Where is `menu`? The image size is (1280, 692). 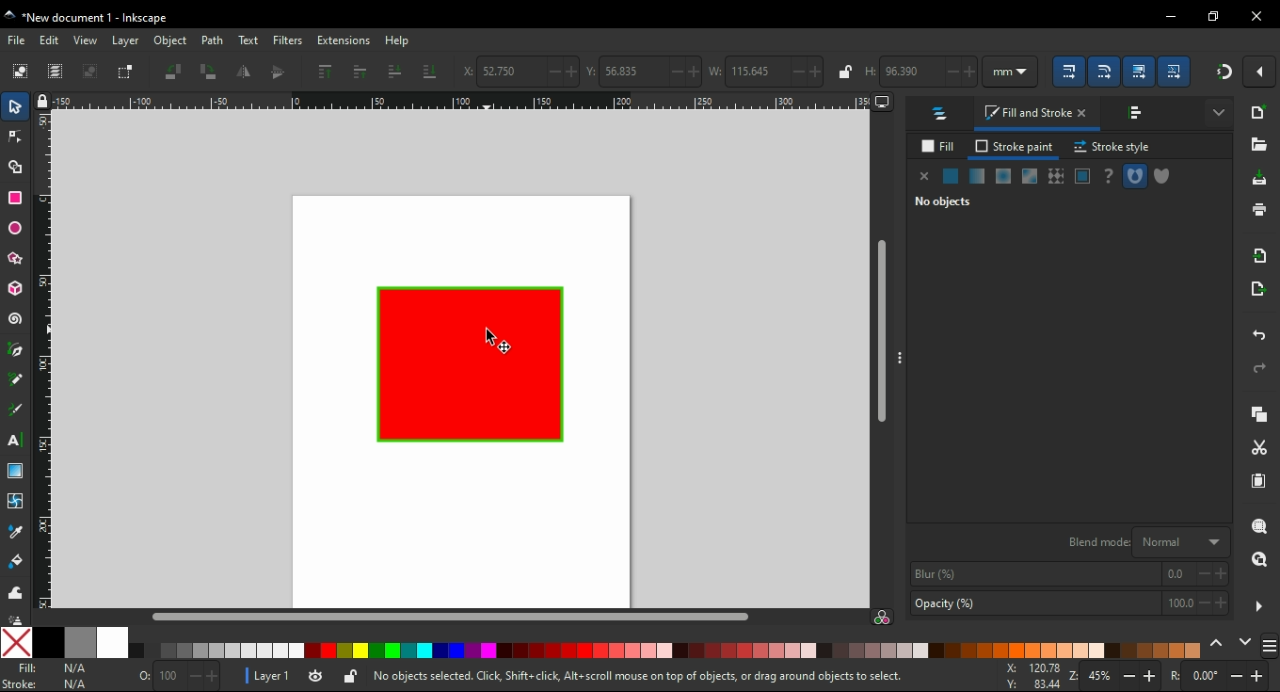 menu is located at coordinates (1270, 645).